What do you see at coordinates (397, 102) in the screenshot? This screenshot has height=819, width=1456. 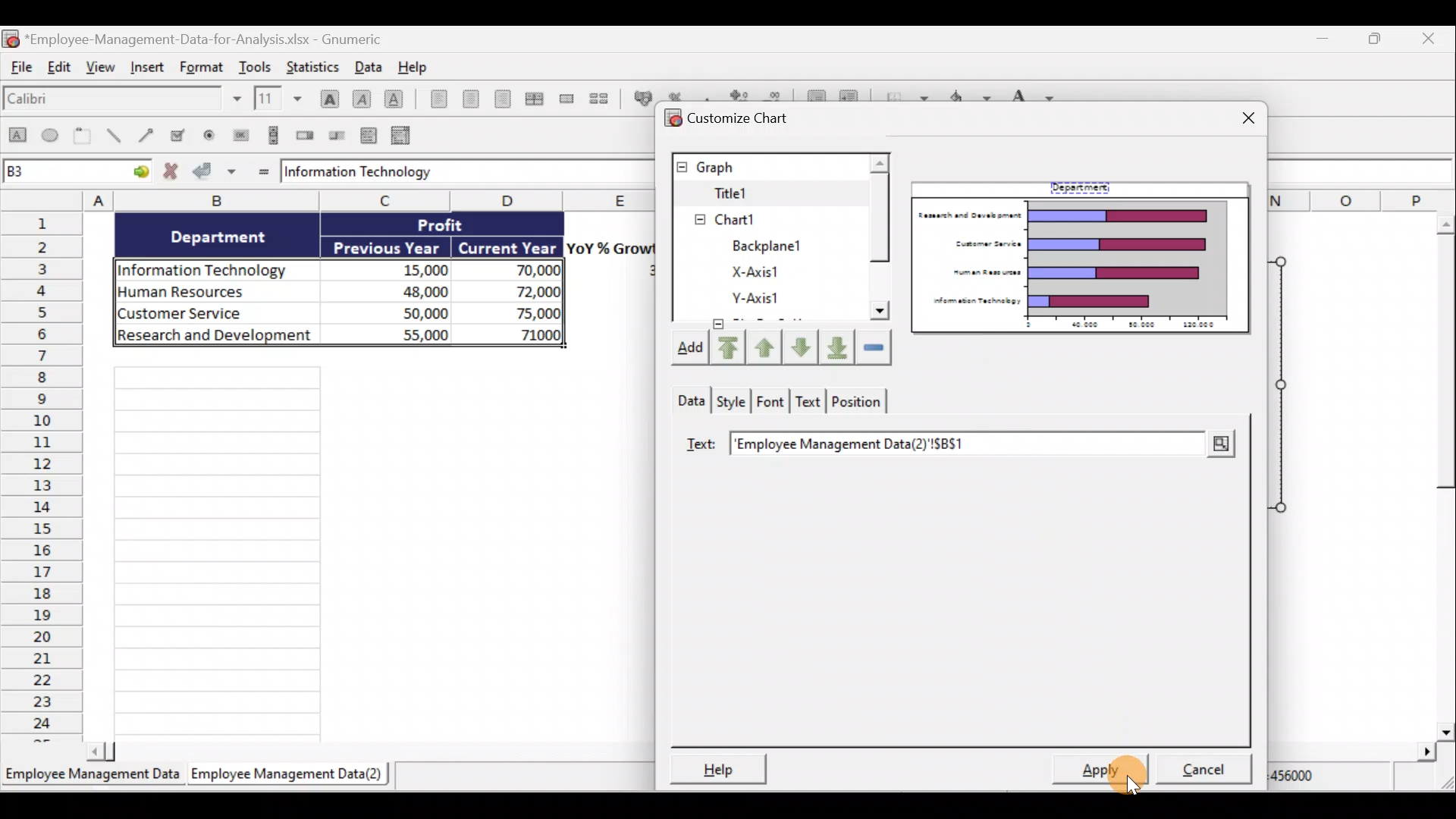 I see `Underline` at bounding box center [397, 102].